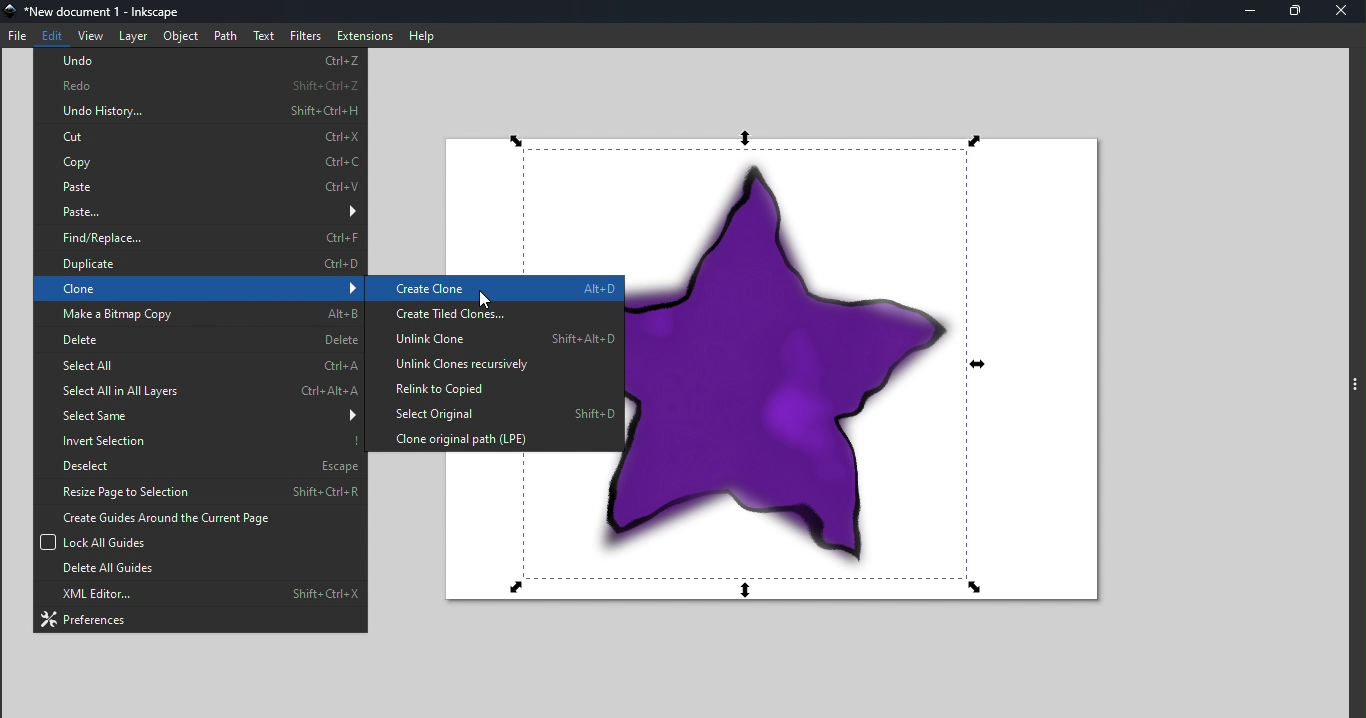  What do you see at coordinates (91, 34) in the screenshot?
I see `View` at bounding box center [91, 34].